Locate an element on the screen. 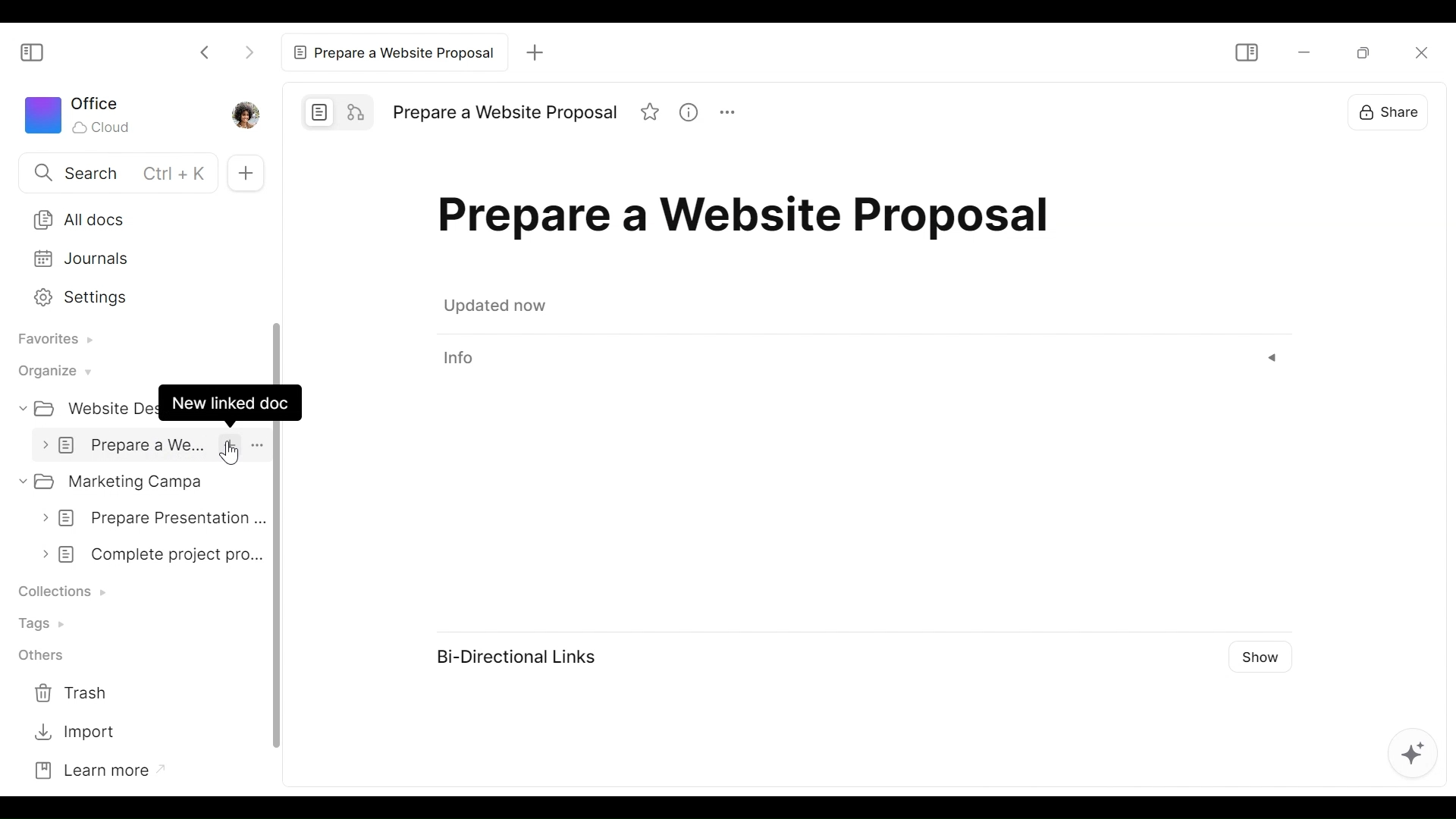 This screenshot has height=819, width=1456. Document is located at coordinates (151, 445).